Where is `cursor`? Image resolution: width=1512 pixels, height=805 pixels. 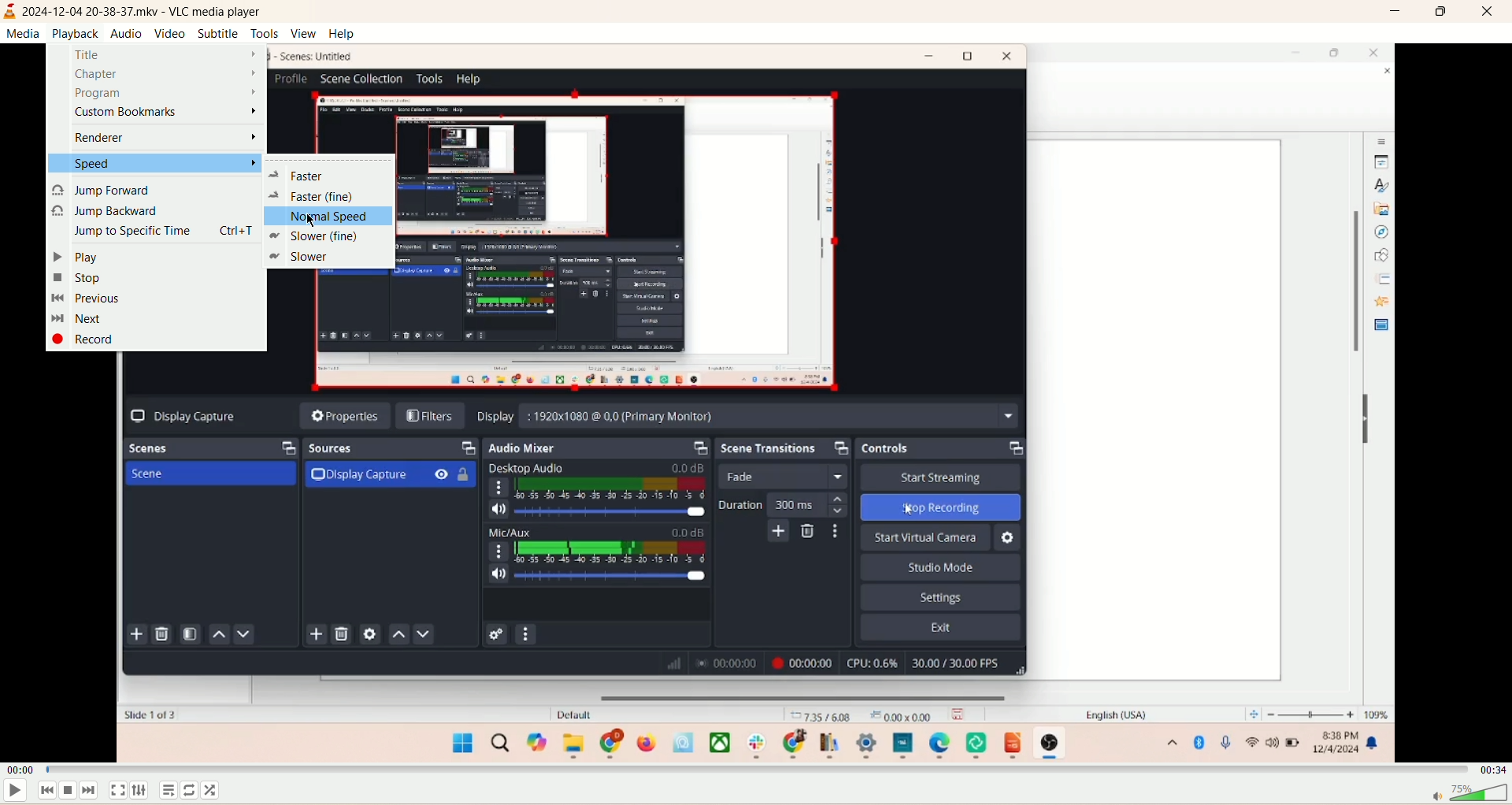
cursor is located at coordinates (309, 217).